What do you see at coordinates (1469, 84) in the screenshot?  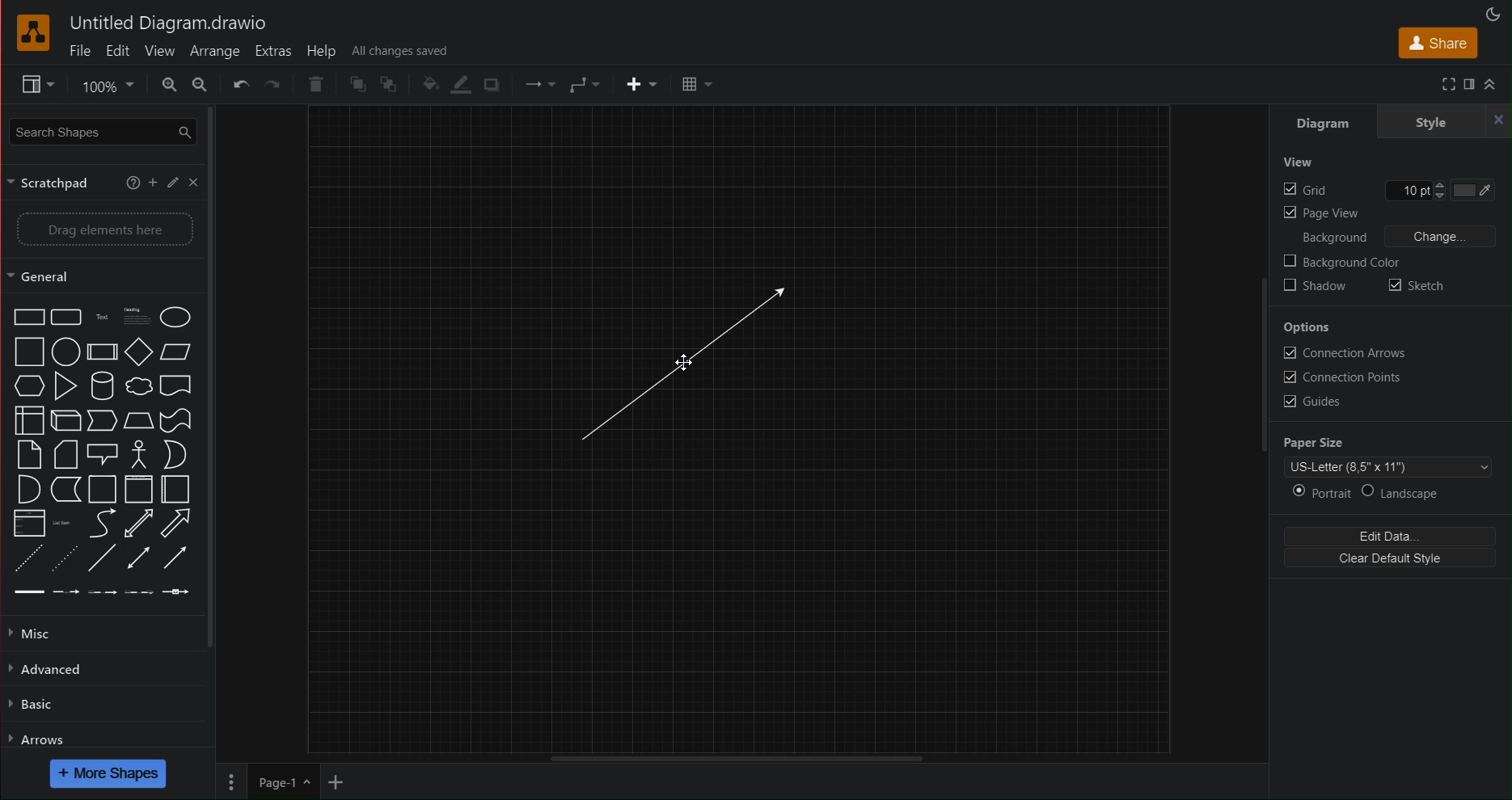 I see `bookmark` at bounding box center [1469, 84].